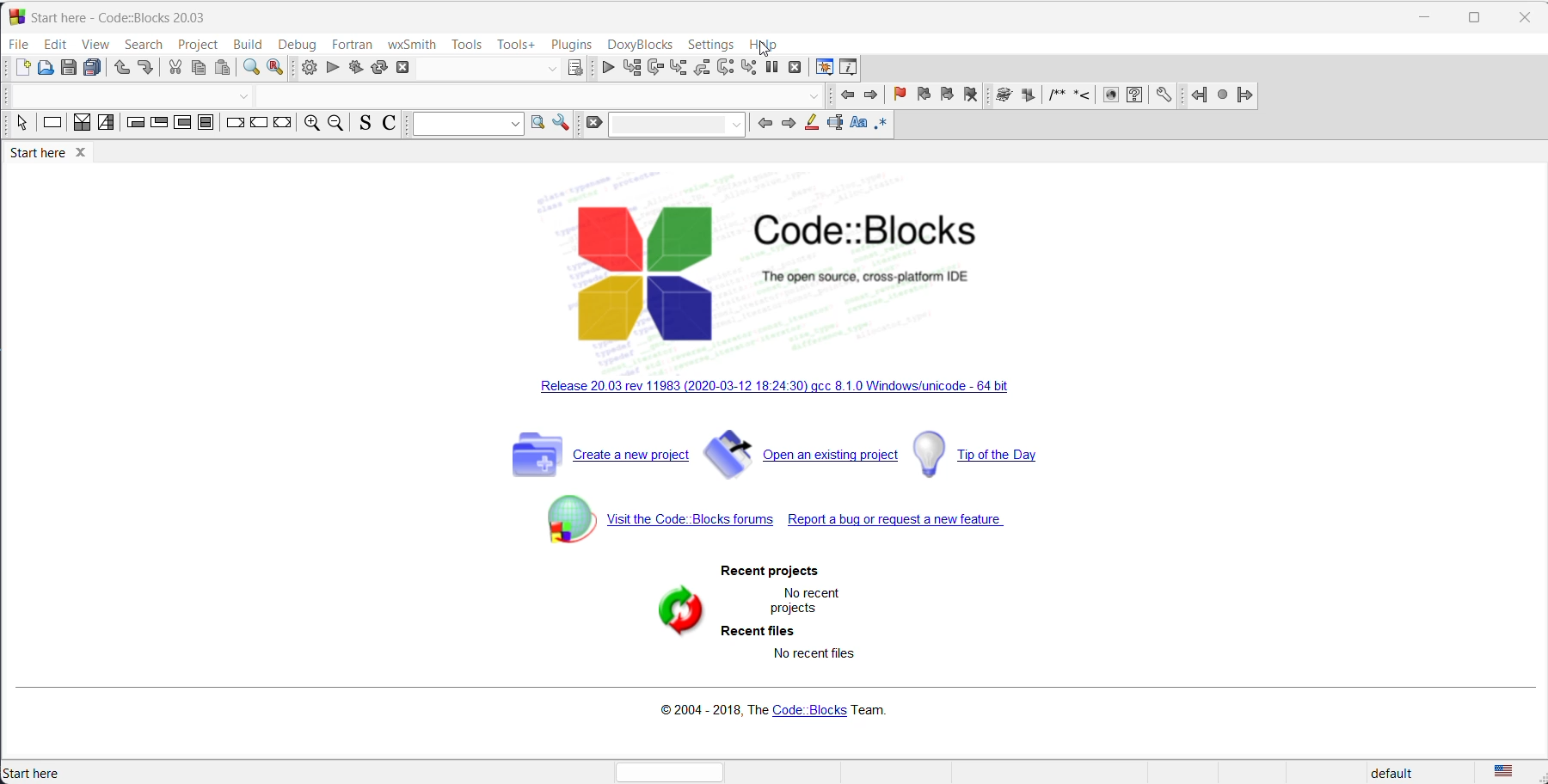  I want to click on Code::Blocks
The open source, cross-platform IDE, so click(771, 276).